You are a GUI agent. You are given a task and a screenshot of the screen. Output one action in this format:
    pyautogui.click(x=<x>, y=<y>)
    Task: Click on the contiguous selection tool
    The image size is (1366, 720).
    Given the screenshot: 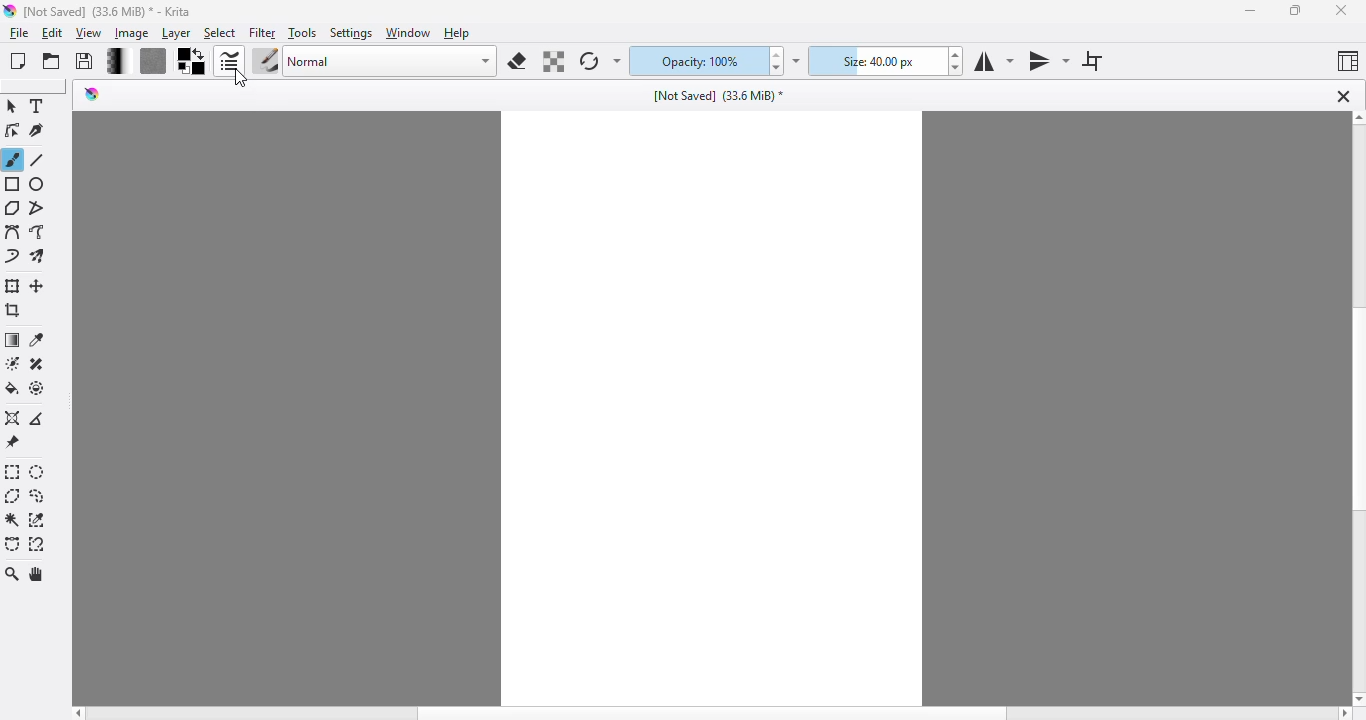 What is the action you would take?
    pyautogui.click(x=13, y=521)
    